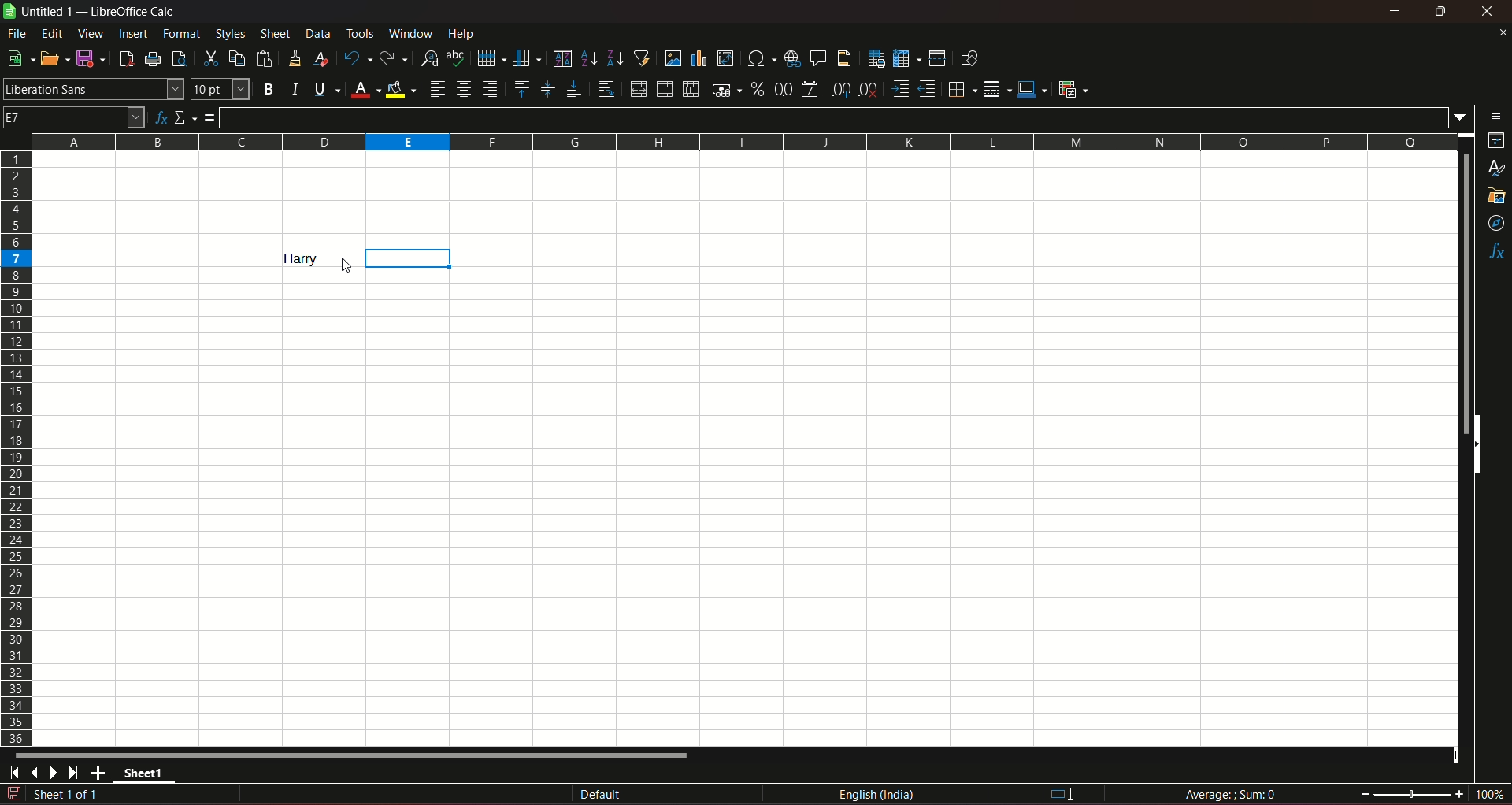  What do you see at coordinates (689, 90) in the screenshot?
I see `unmerge` at bounding box center [689, 90].